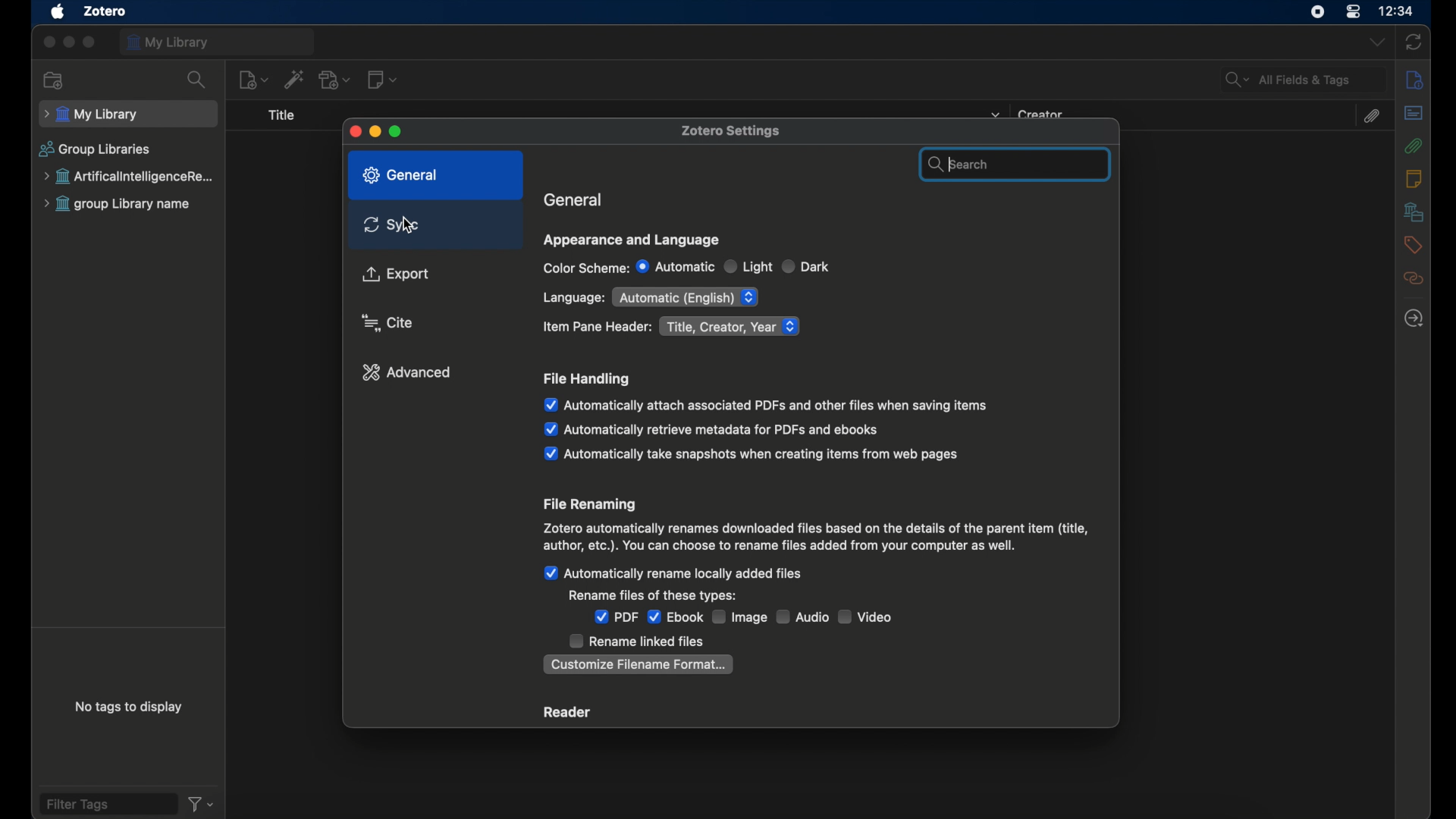 Image resolution: width=1456 pixels, height=819 pixels. Describe the element at coordinates (90, 42) in the screenshot. I see `maximize` at that location.